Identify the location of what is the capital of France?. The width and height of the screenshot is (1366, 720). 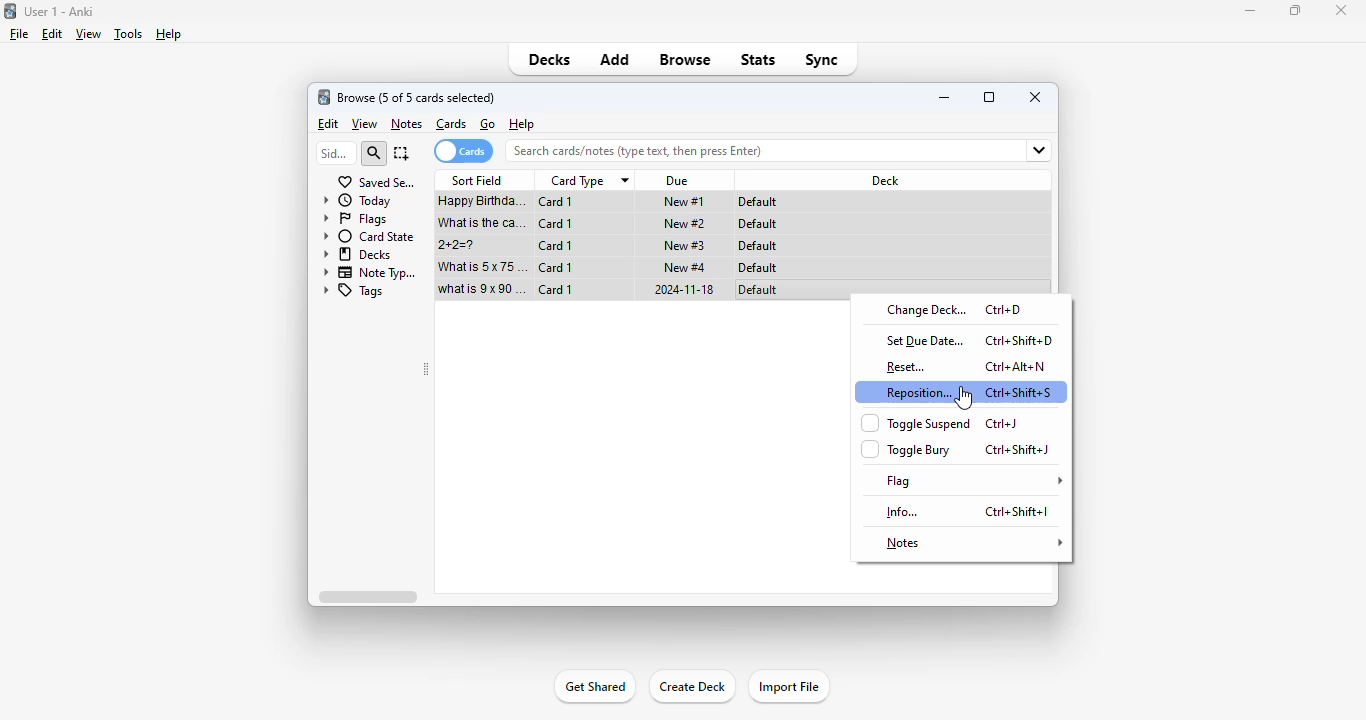
(481, 223).